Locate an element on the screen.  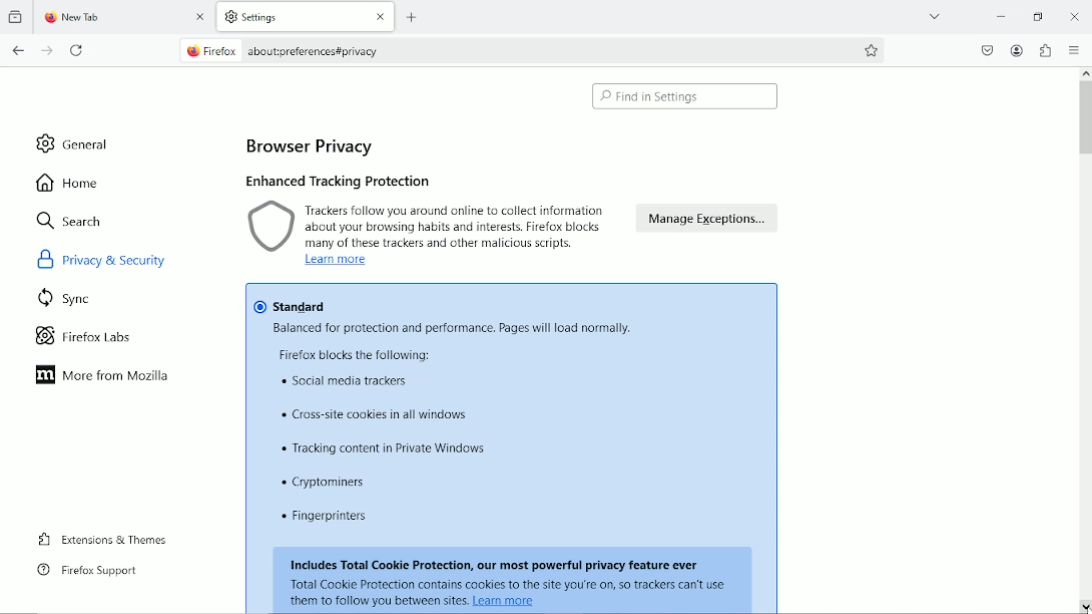
bookmark this page is located at coordinates (872, 50).